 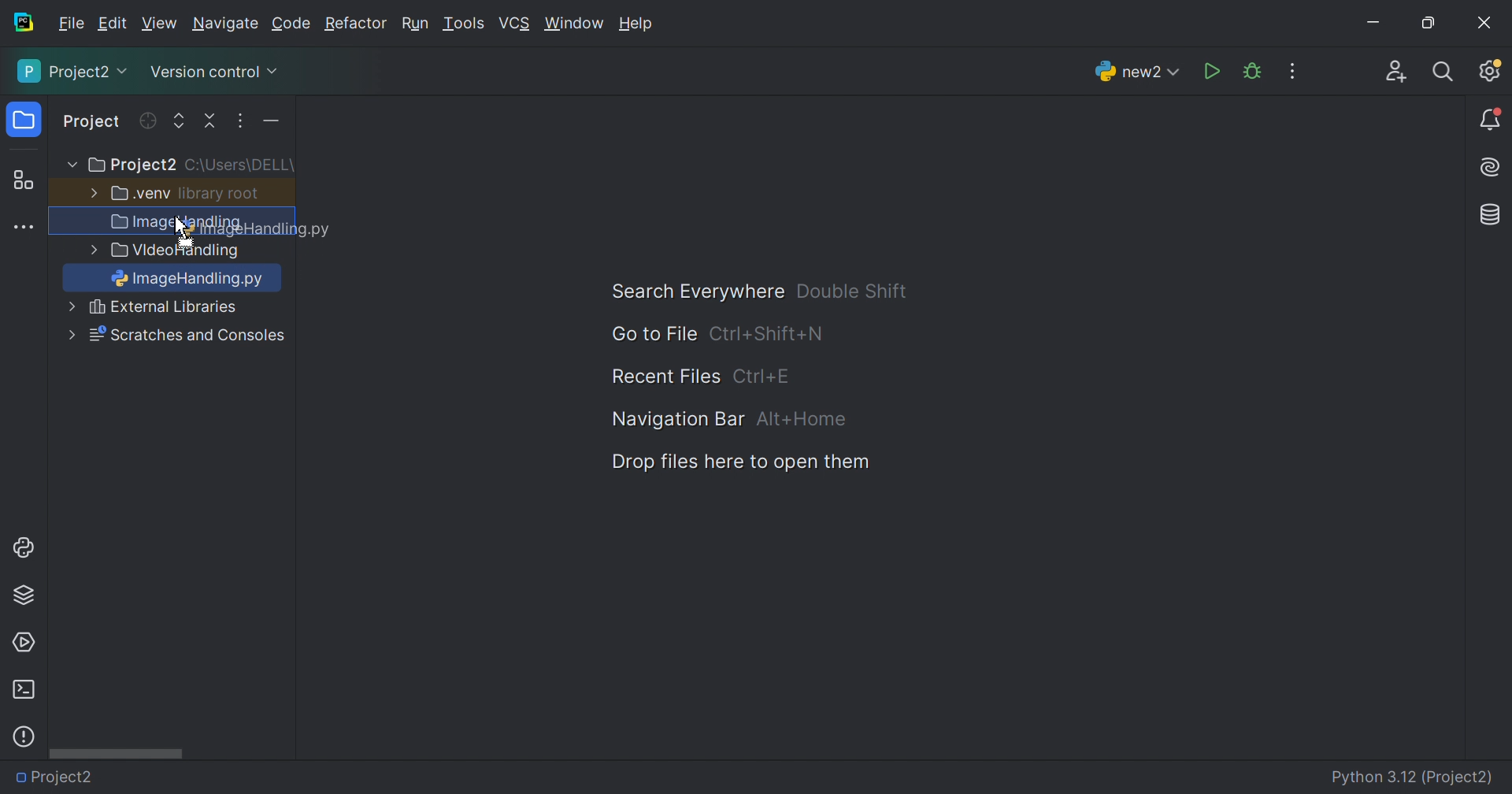 What do you see at coordinates (227, 26) in the screenshot?
I see `Navigate` at bounding box center [227, 26].